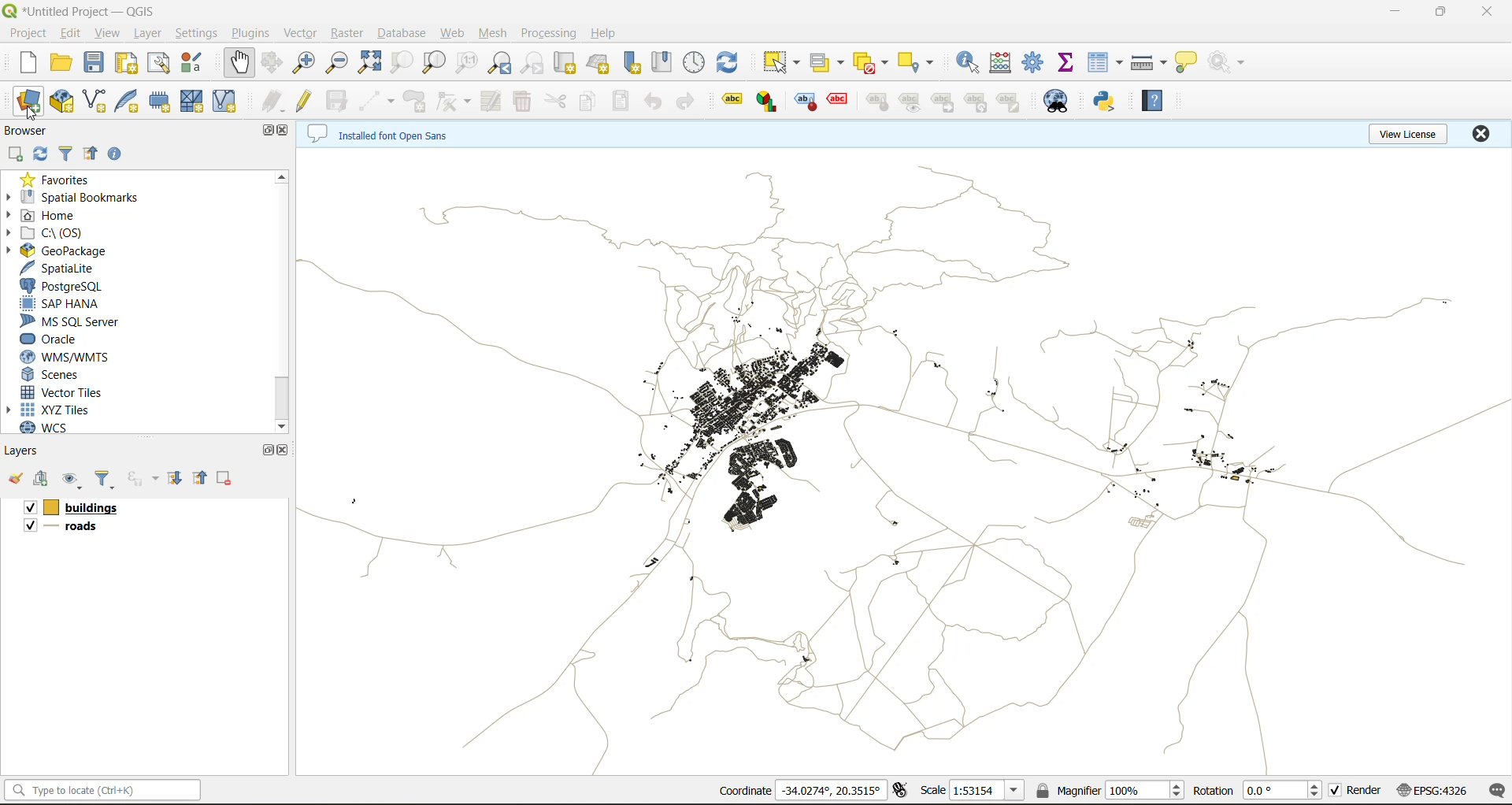  I want to click on close, so click(286, 450).